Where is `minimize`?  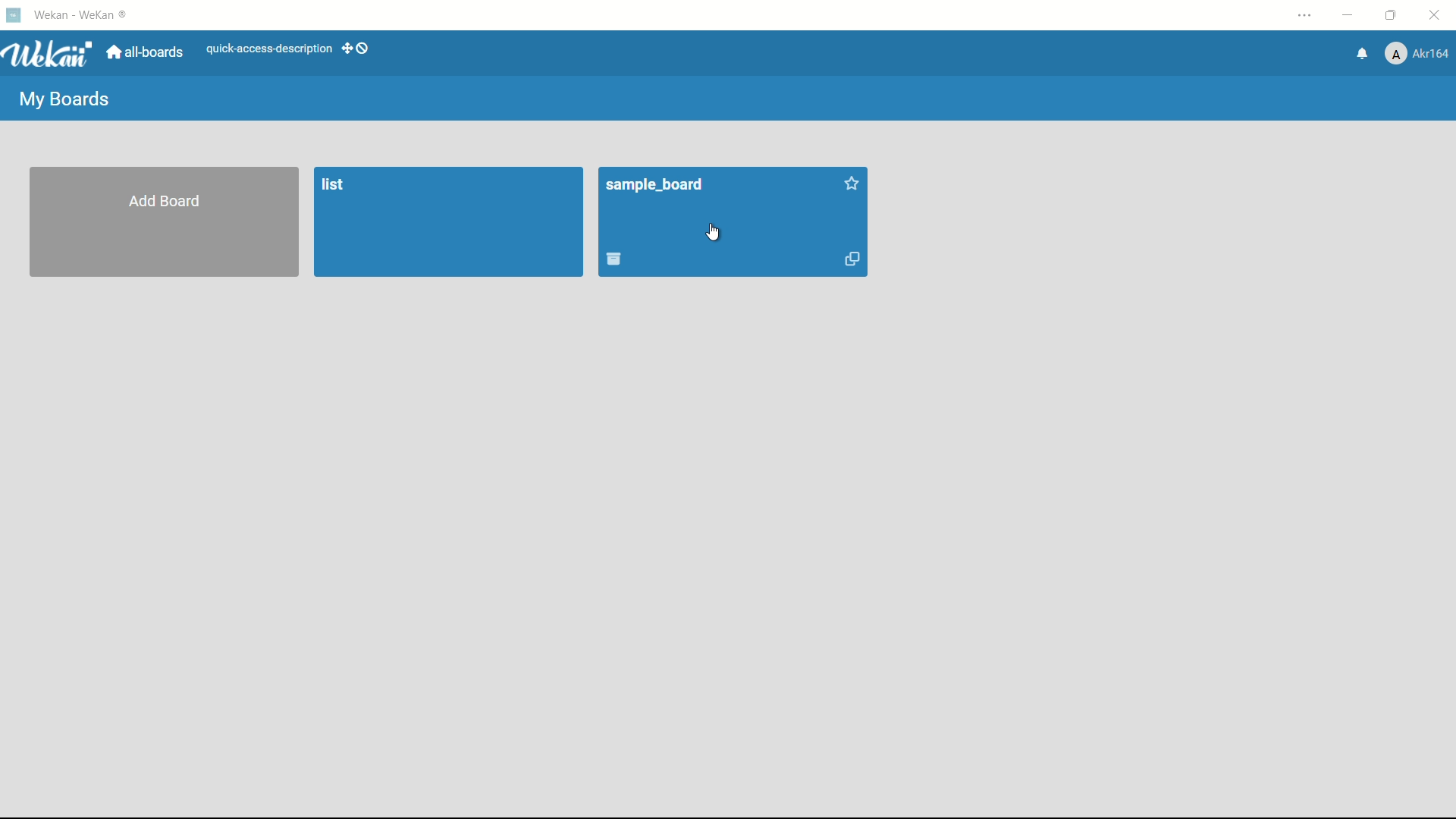 minimize is located at coordinates (1346, 16).